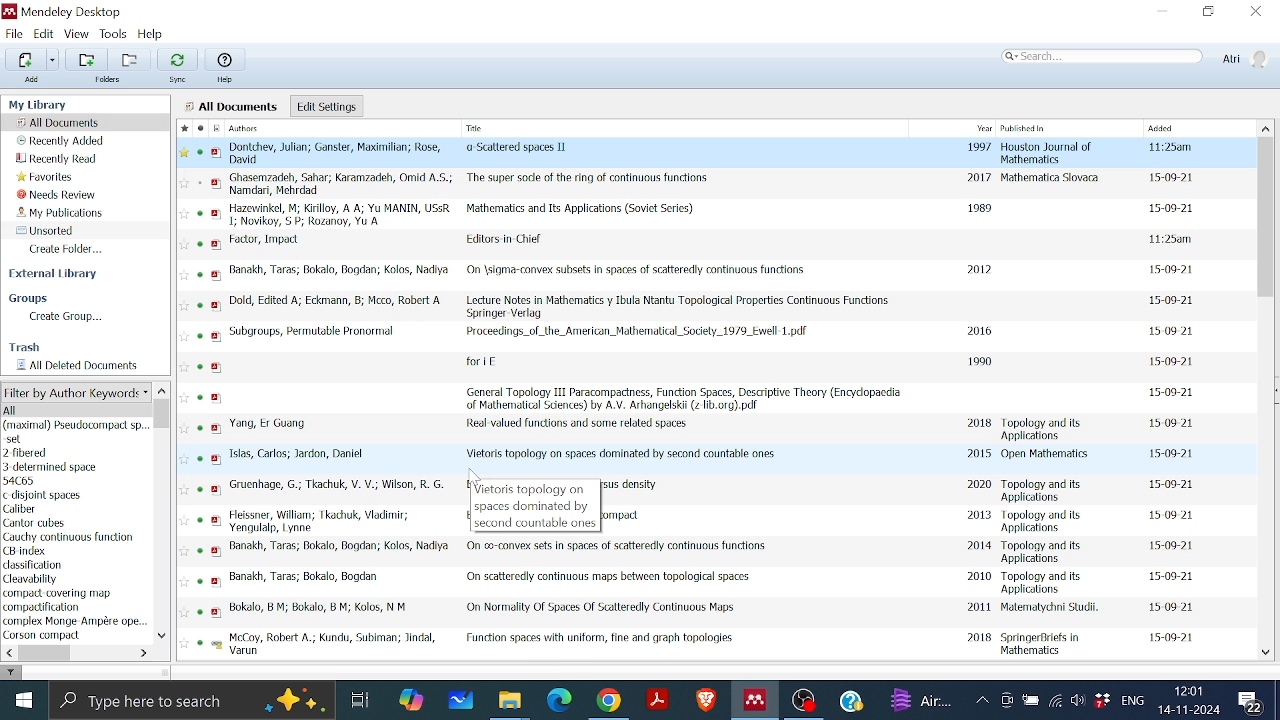  Describe the element at coordinates (44, 33) in the screenshot. I see `Edit` at that location.